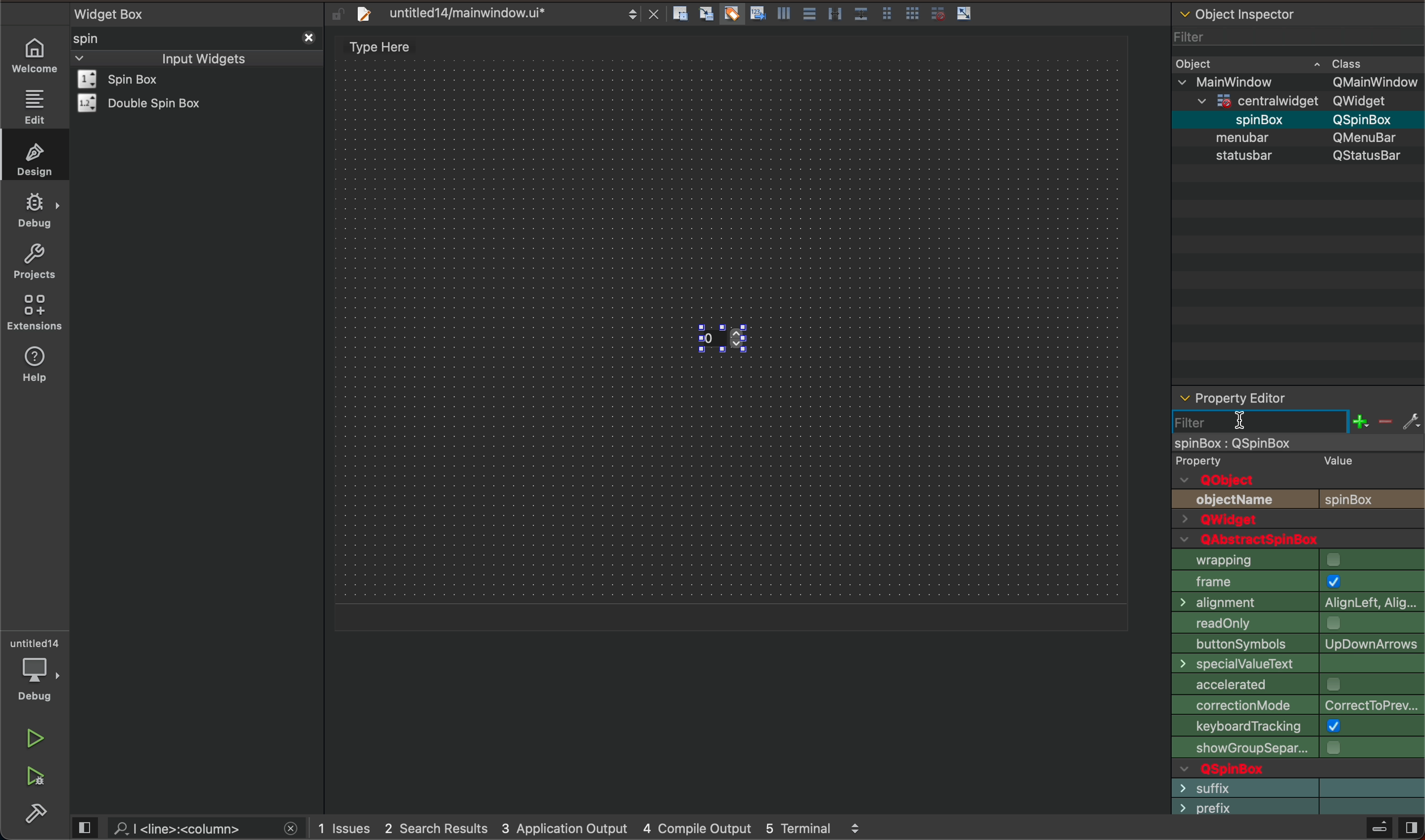 This screenshot has width=1425, height=840. Describe the element at coordinates (1373, 499) in the screenshot. I see `text` at that location.